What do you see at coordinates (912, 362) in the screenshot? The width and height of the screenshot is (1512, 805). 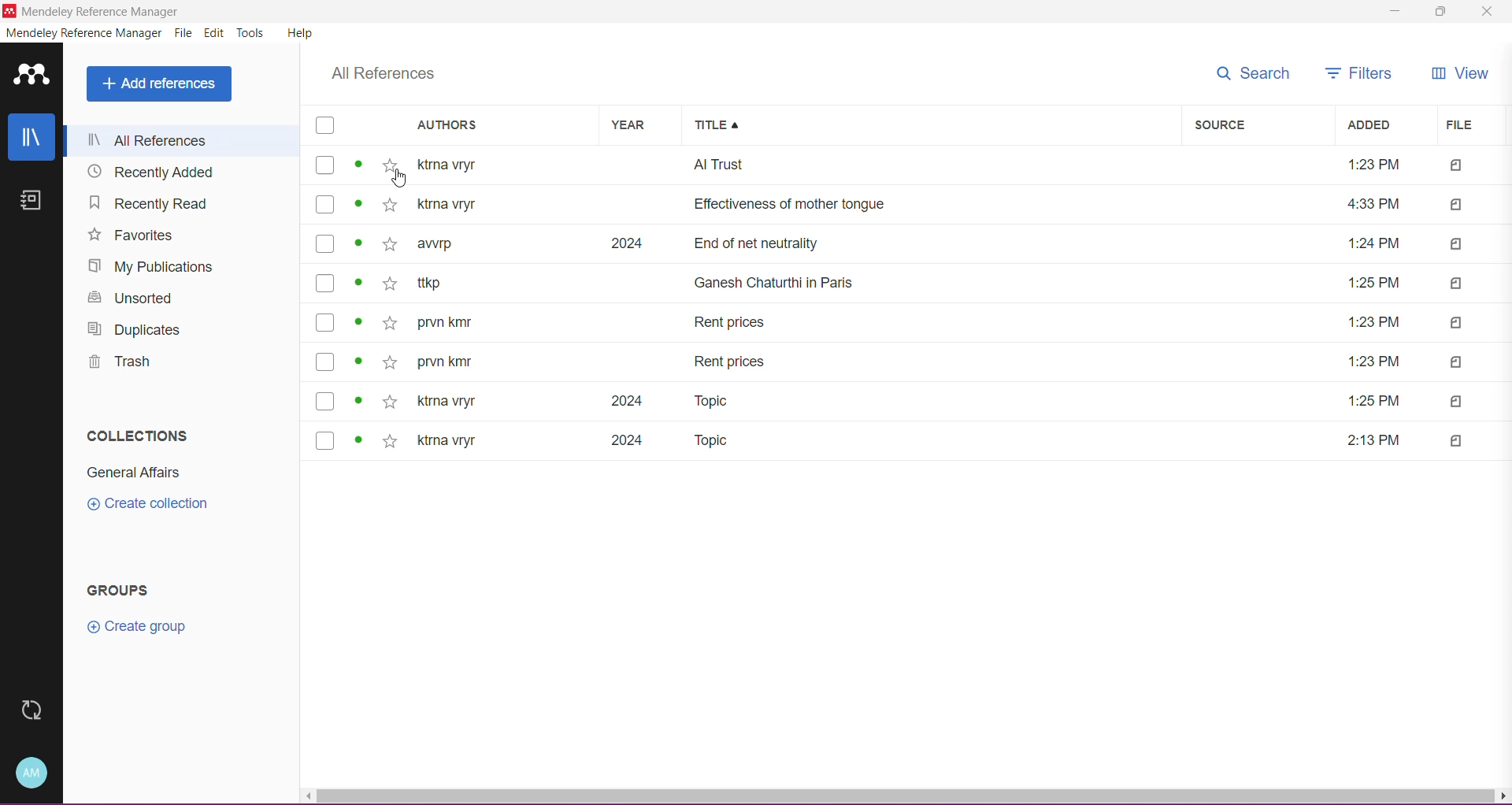 I see `prvn kmr Rent prices 1:23 PM` at bounding box center [912, 362].